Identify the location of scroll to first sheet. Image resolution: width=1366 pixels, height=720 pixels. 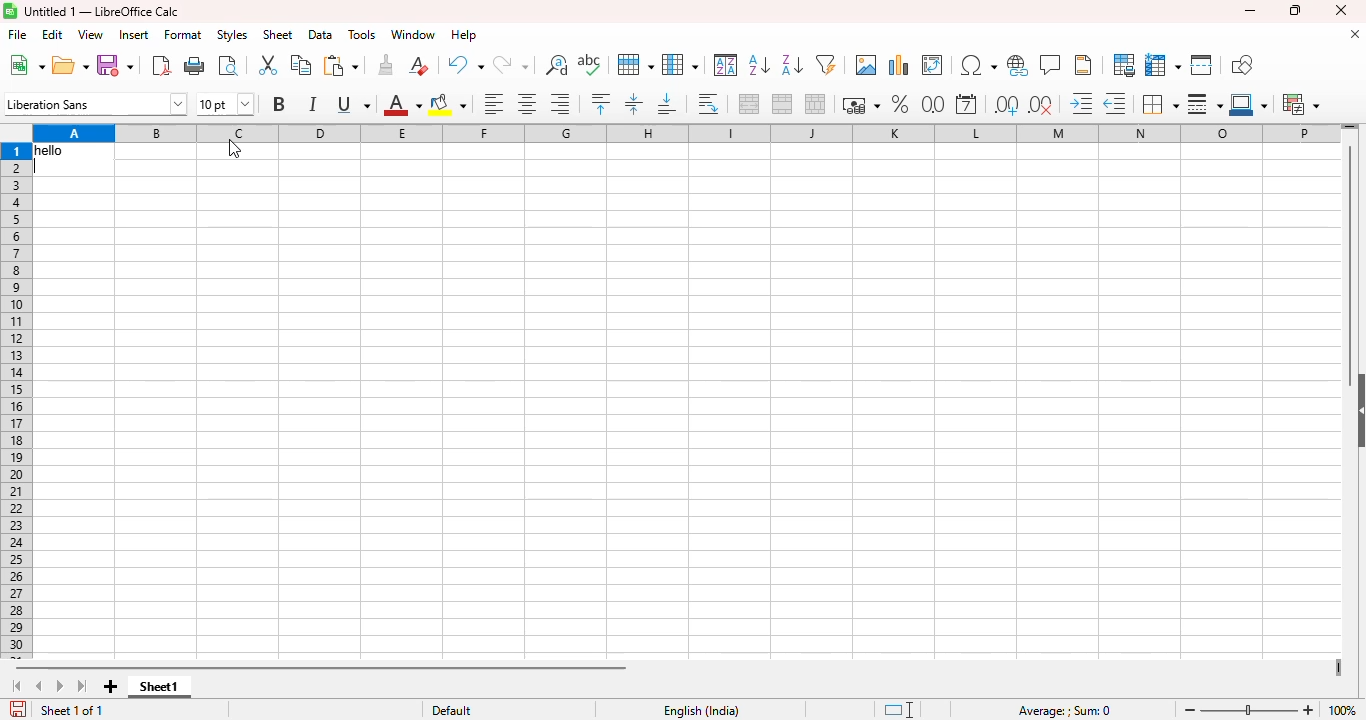
(18, 686).